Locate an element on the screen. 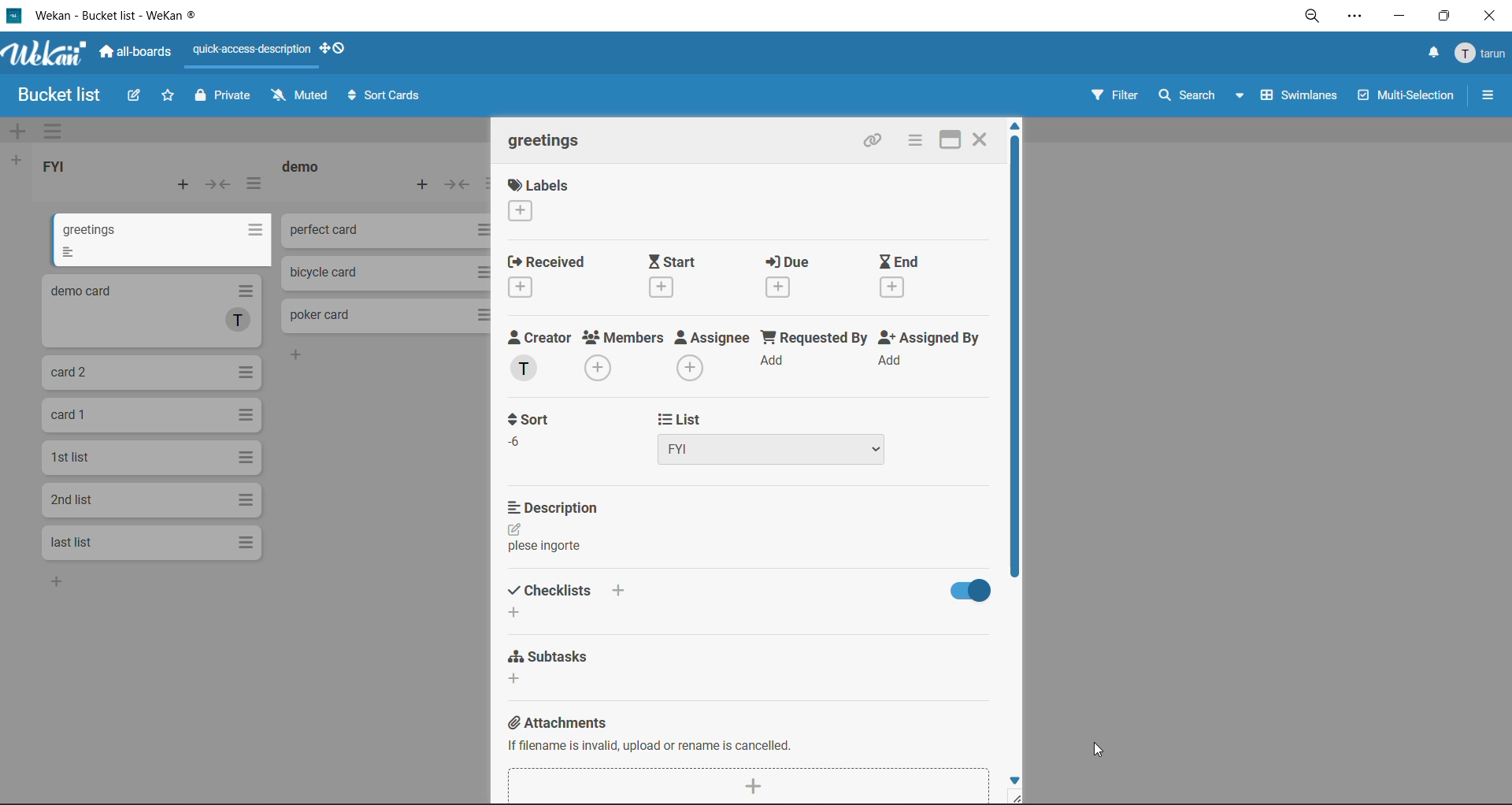  maximize is located at coordinates (1445, 16).